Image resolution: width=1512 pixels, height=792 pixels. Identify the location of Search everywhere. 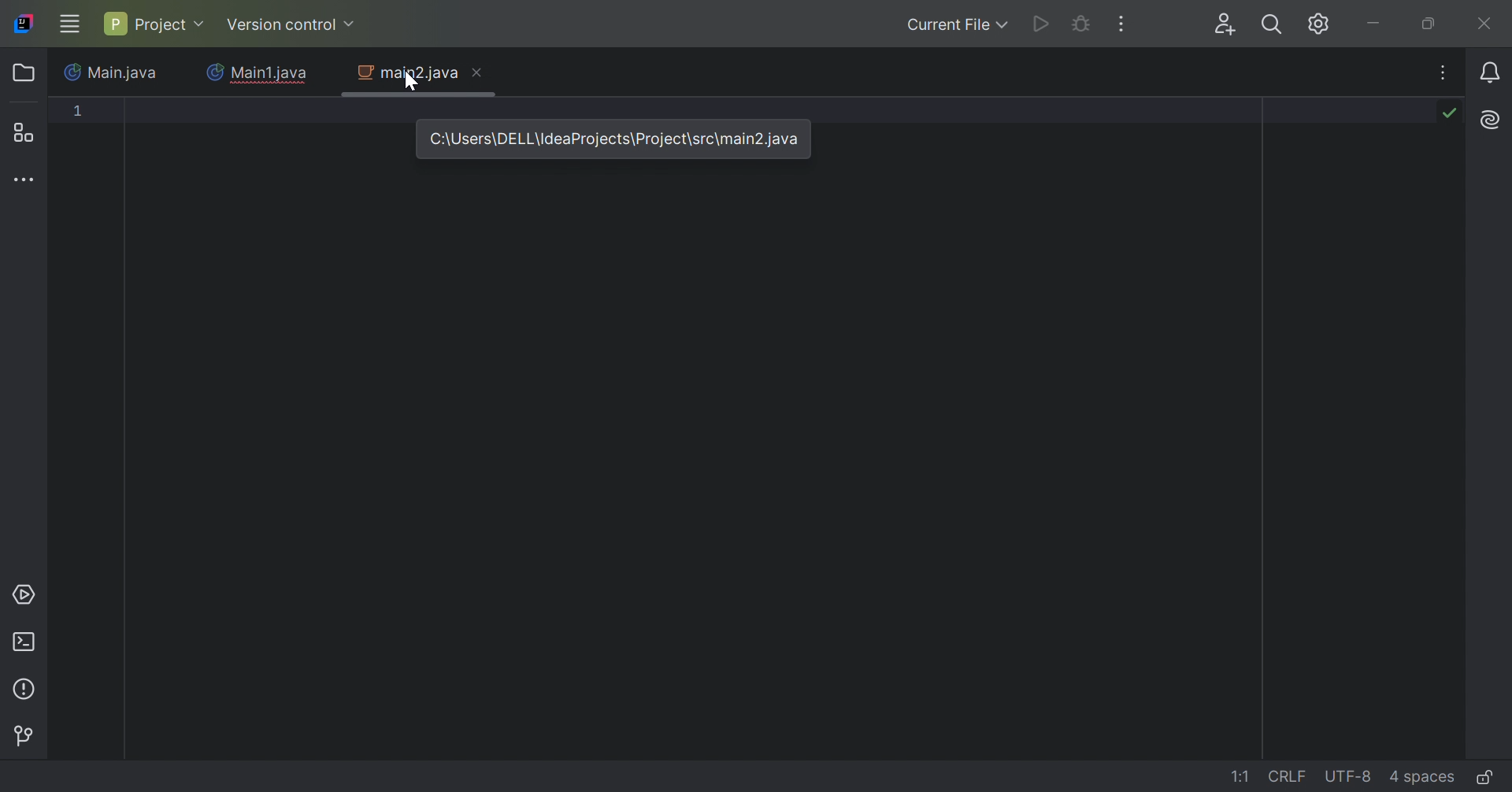
(1274, 27).